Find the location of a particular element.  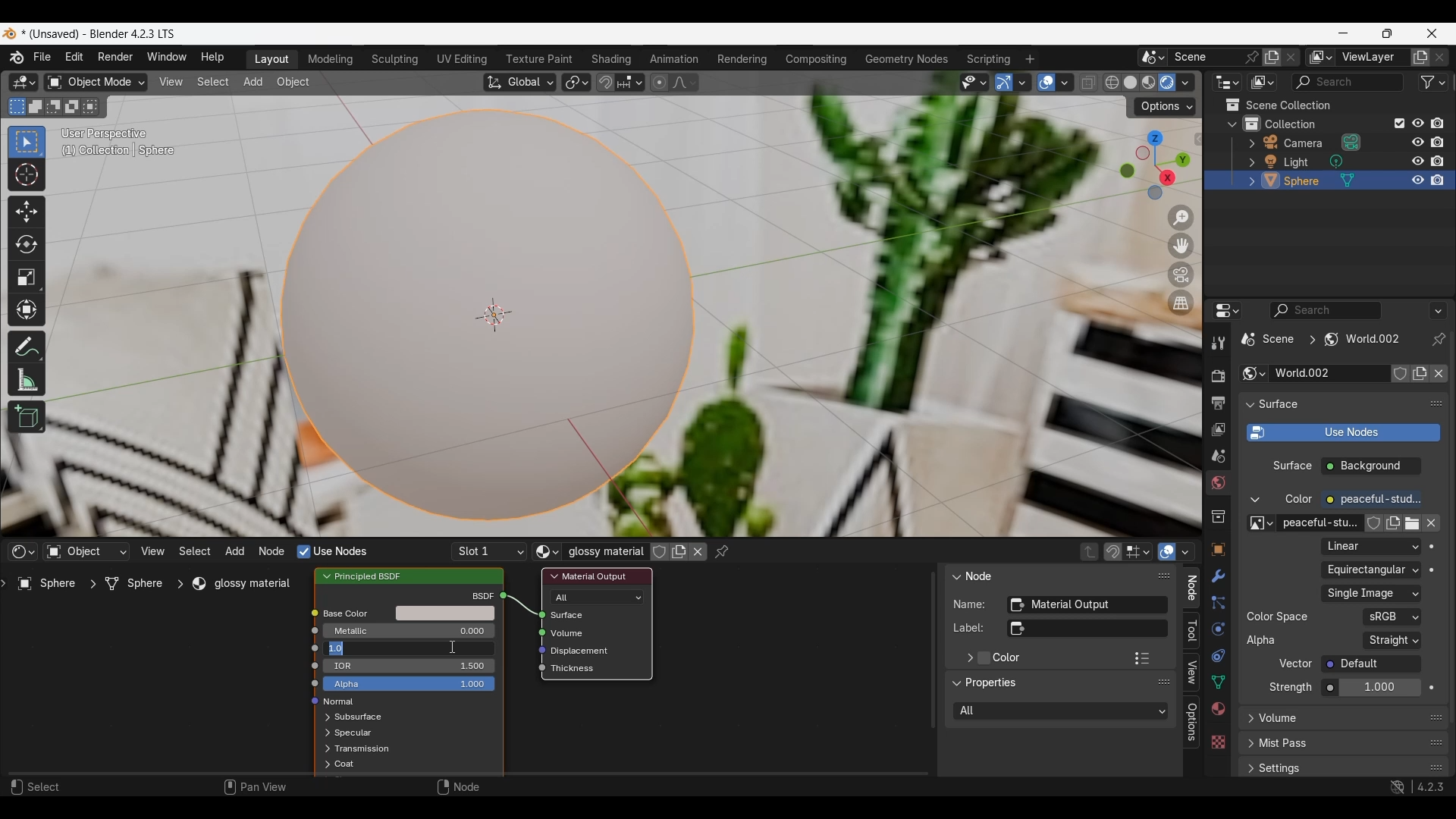

Delete scene is located at coordinates (1291, 57).